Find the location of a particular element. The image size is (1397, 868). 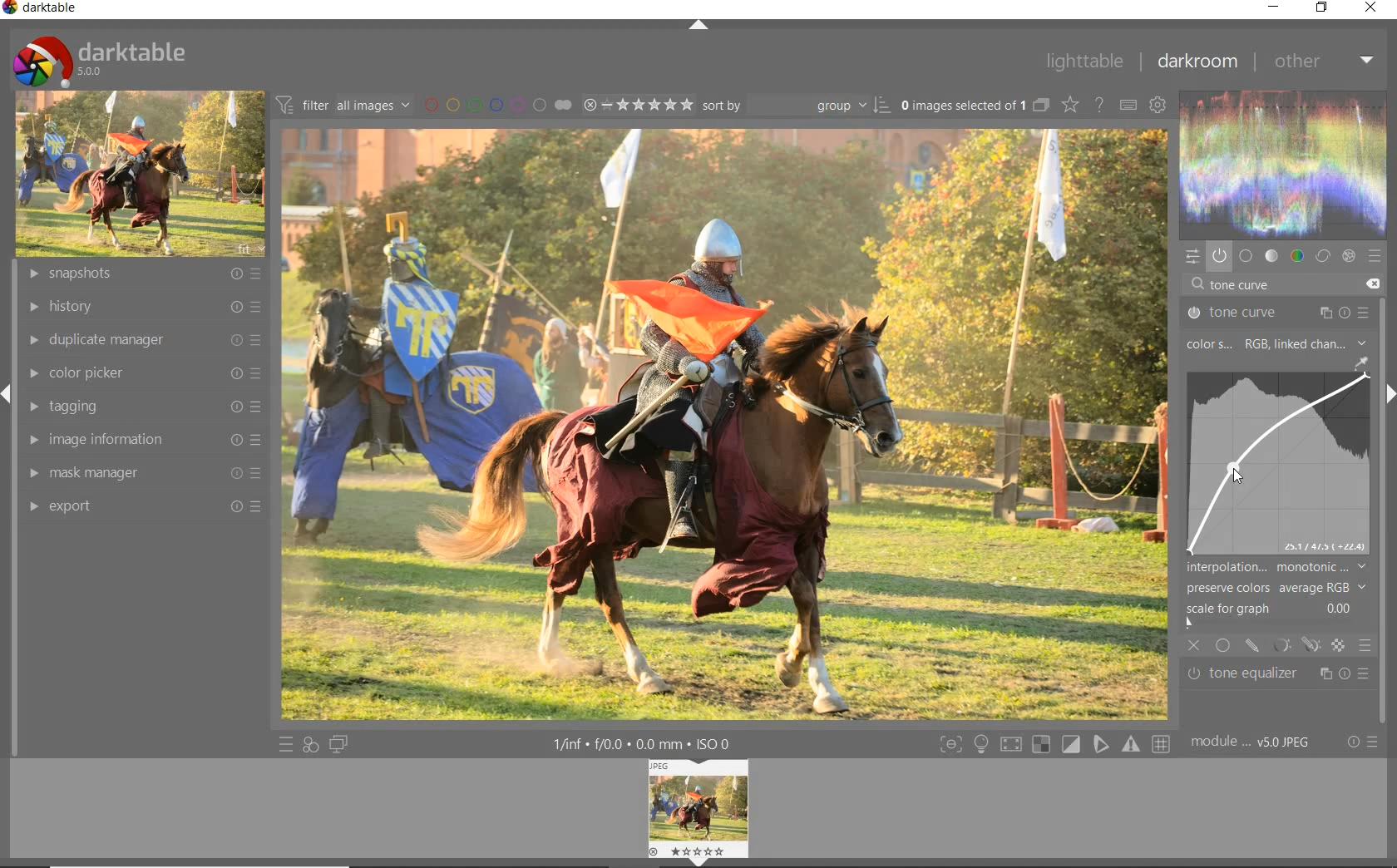

snapshots is located at coordinates (146, 274).